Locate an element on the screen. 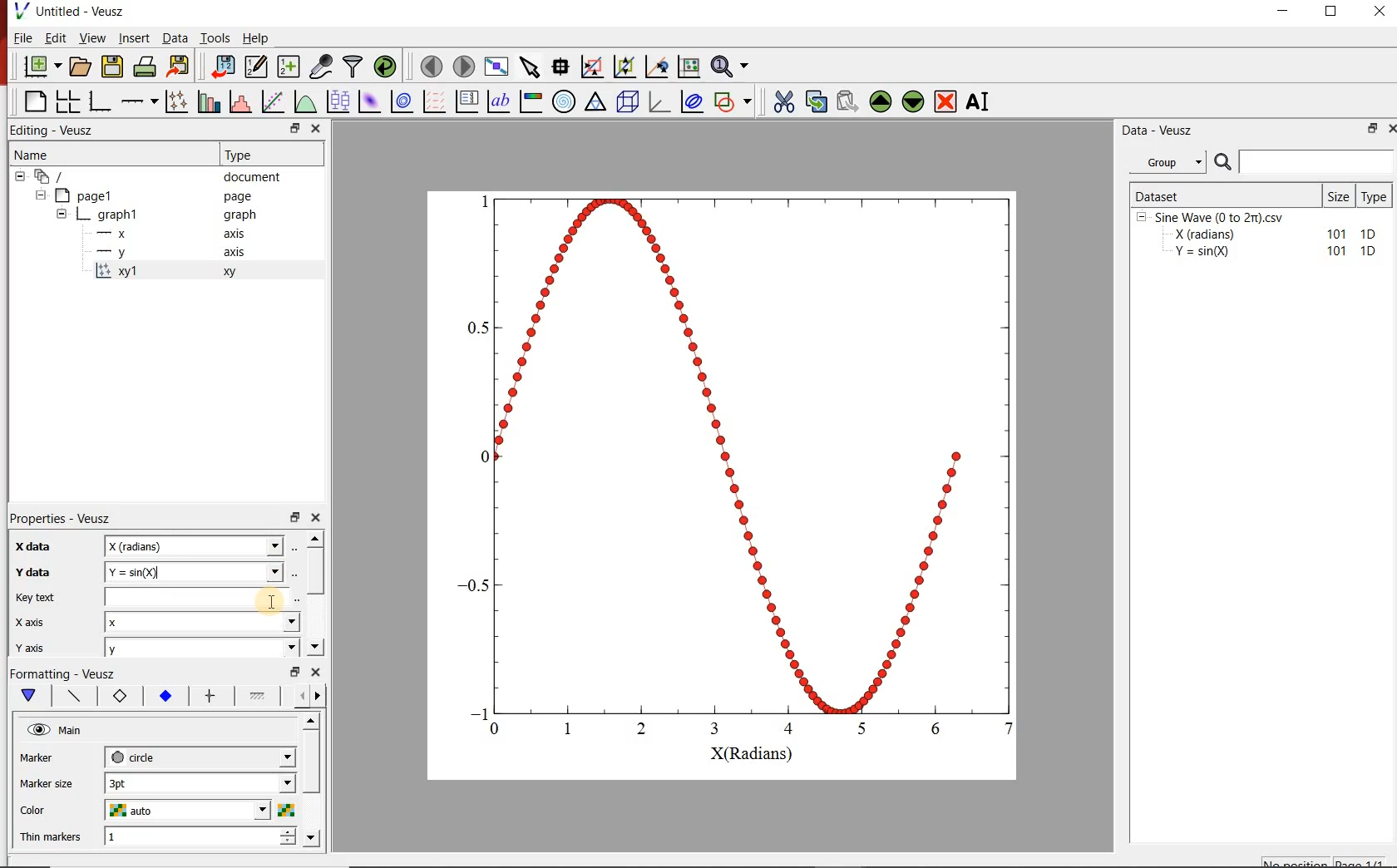 Image resolution: width=1397 pixels, height=868 pixels. scrollbar is located at coordinates (315, 572).